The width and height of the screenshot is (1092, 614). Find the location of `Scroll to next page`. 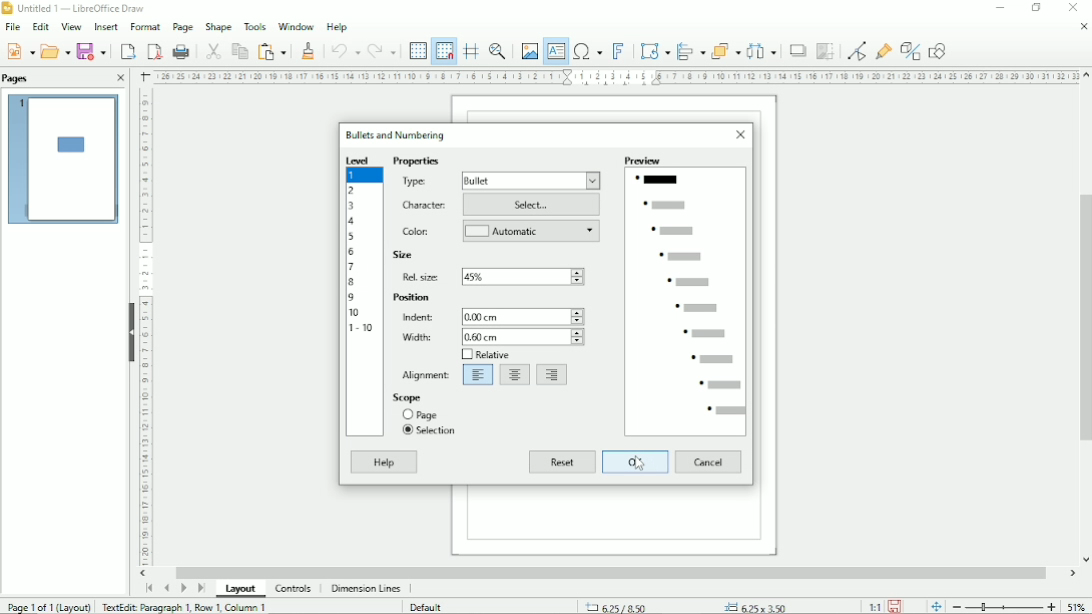

Scroll to next page is located at coordinates (183, 588).